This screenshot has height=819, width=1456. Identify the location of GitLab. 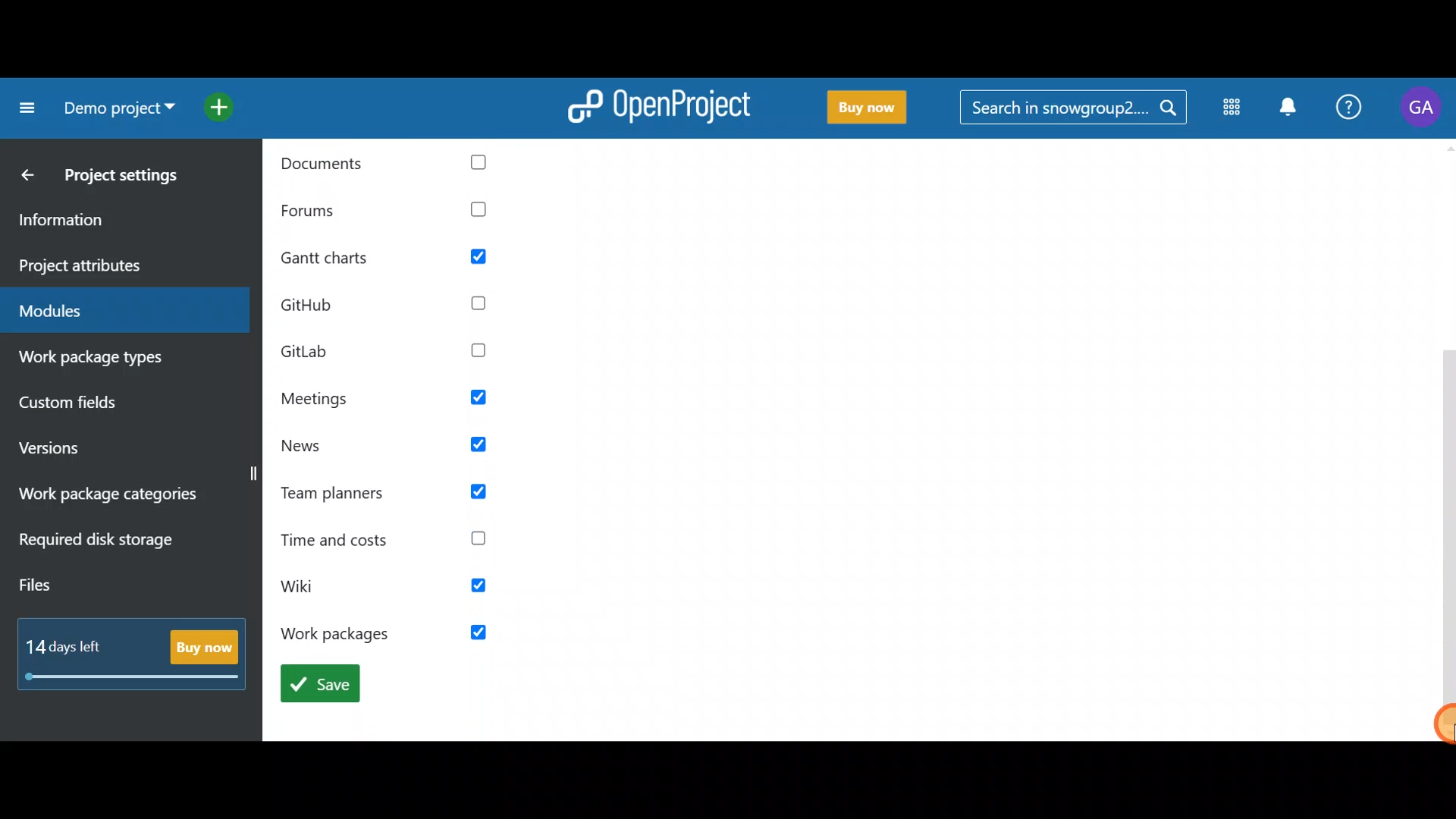
(392, 350).